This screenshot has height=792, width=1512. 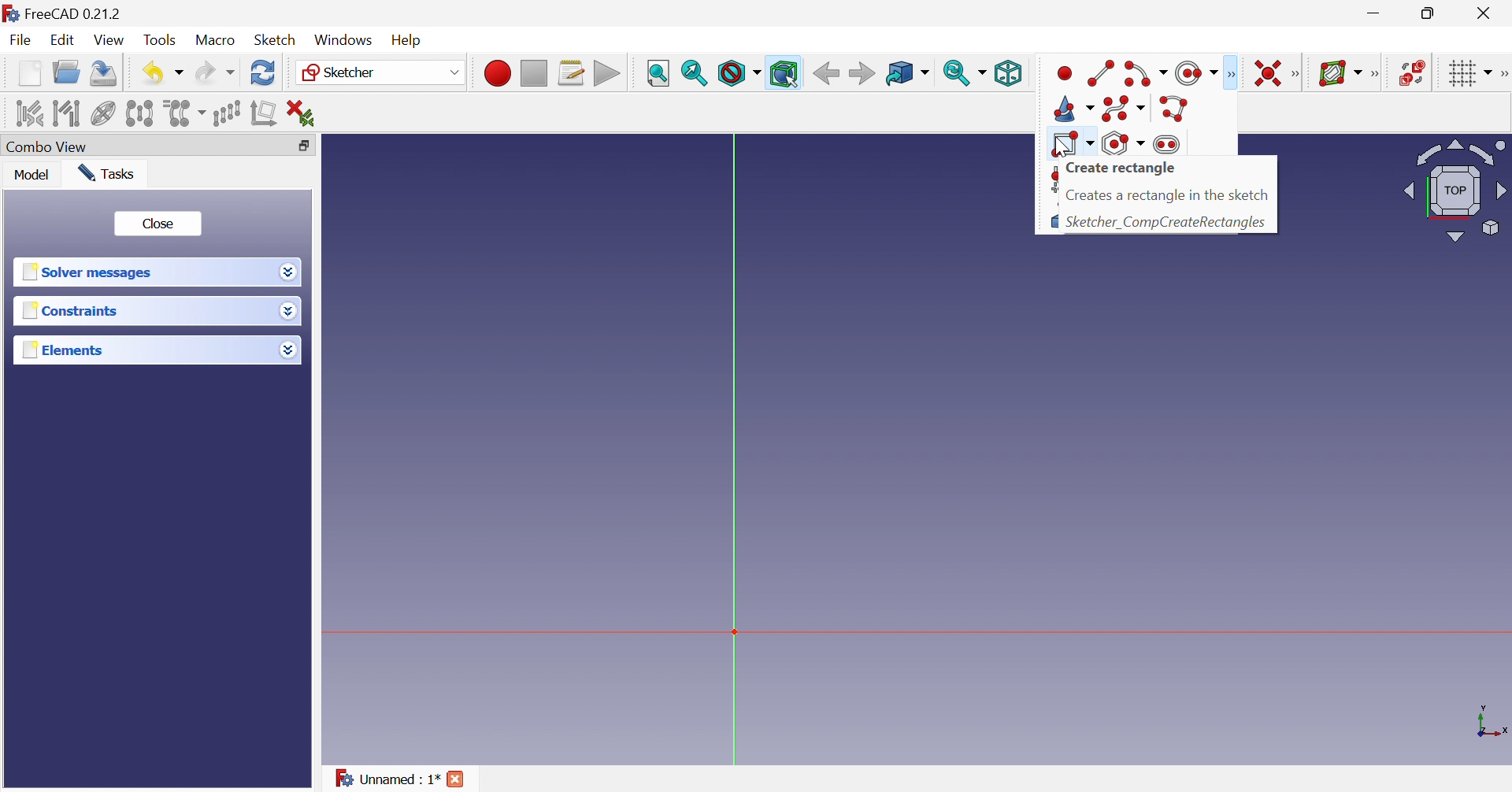 What do you see at coordinates (1489, 720) in the screenshot?
I see `x, y axis` at bounding box center [1489, 720].